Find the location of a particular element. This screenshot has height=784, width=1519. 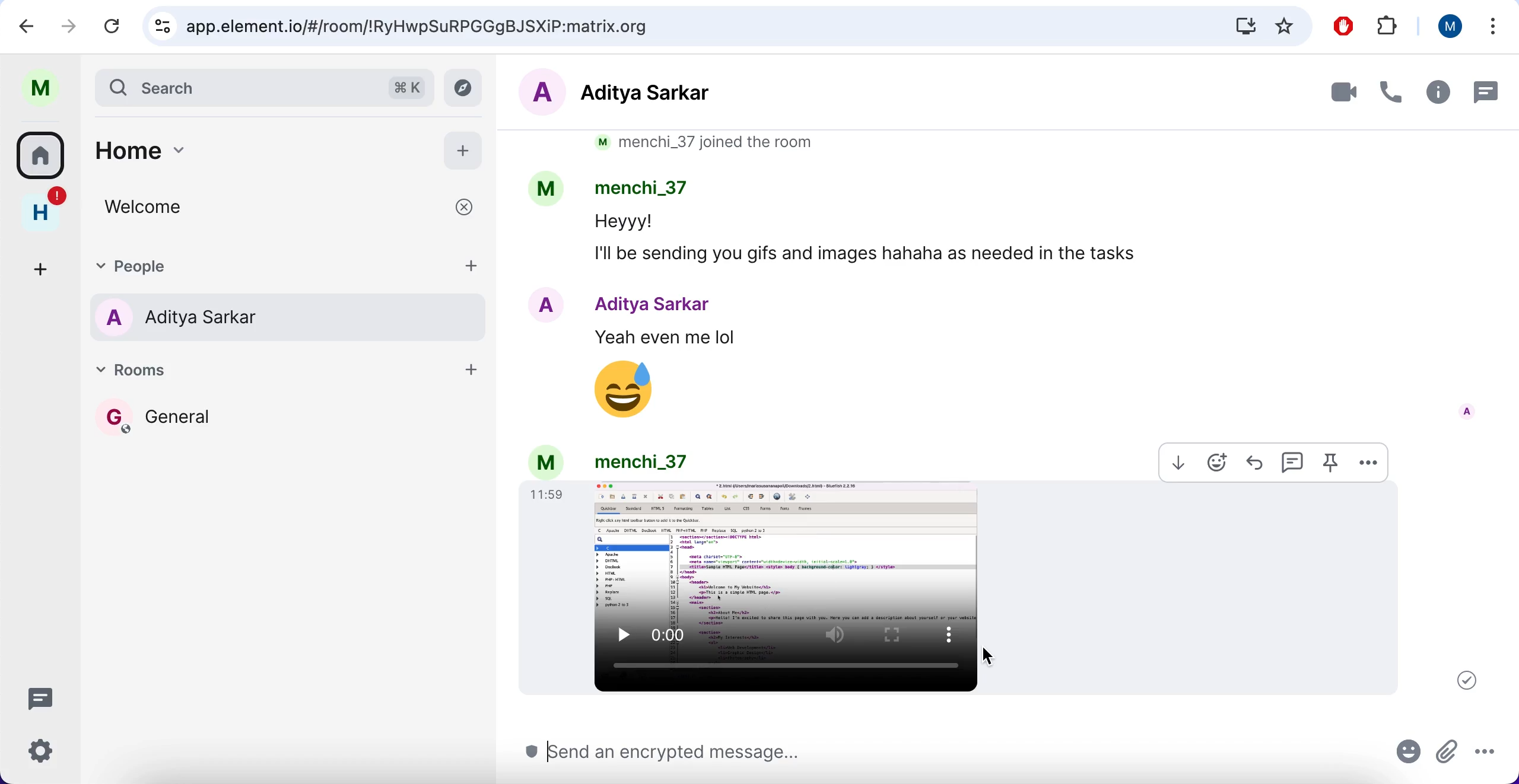

redo is located at coordinates (71, 27).